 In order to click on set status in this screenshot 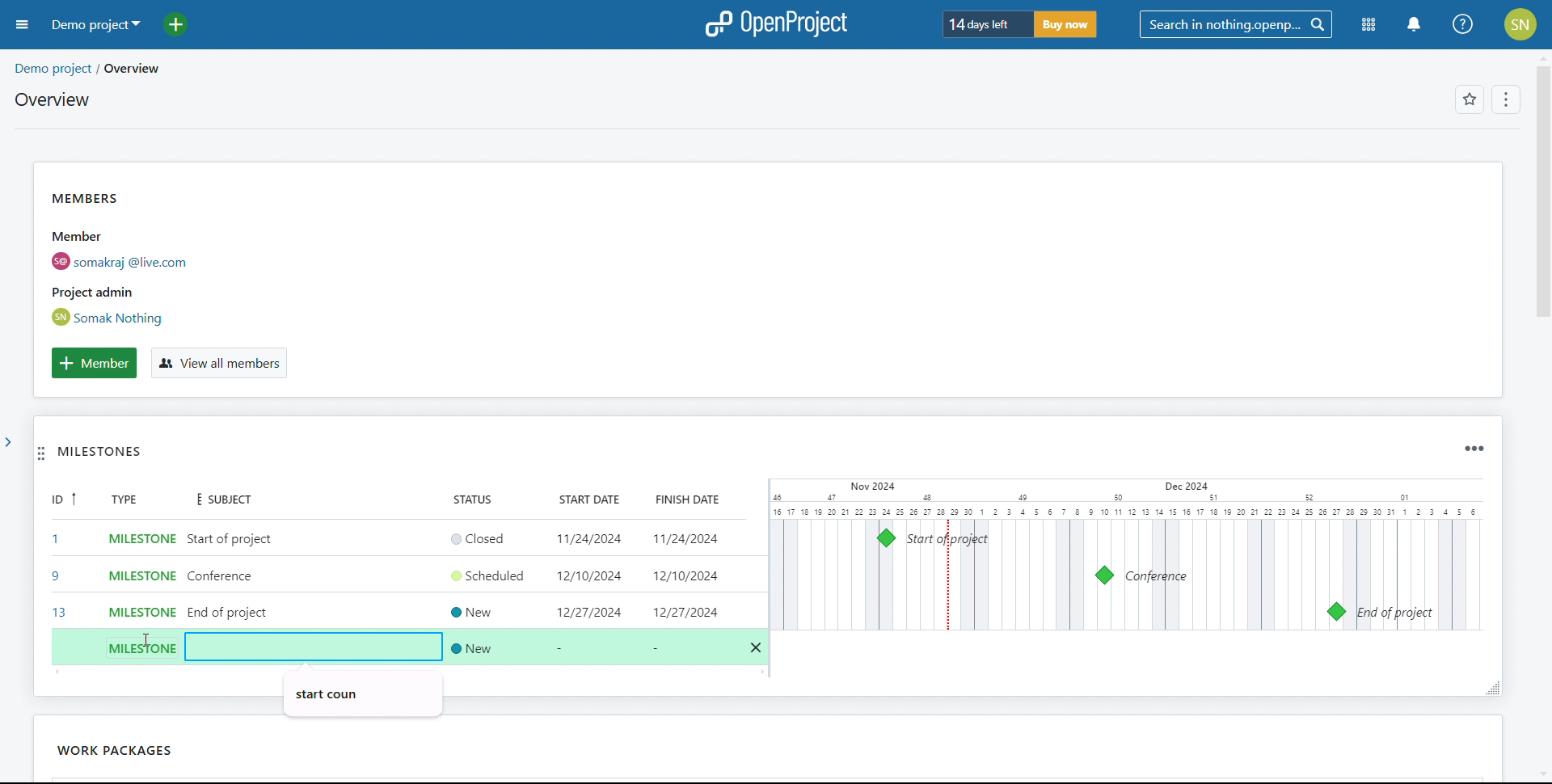, I will do `click(492, 589)`.